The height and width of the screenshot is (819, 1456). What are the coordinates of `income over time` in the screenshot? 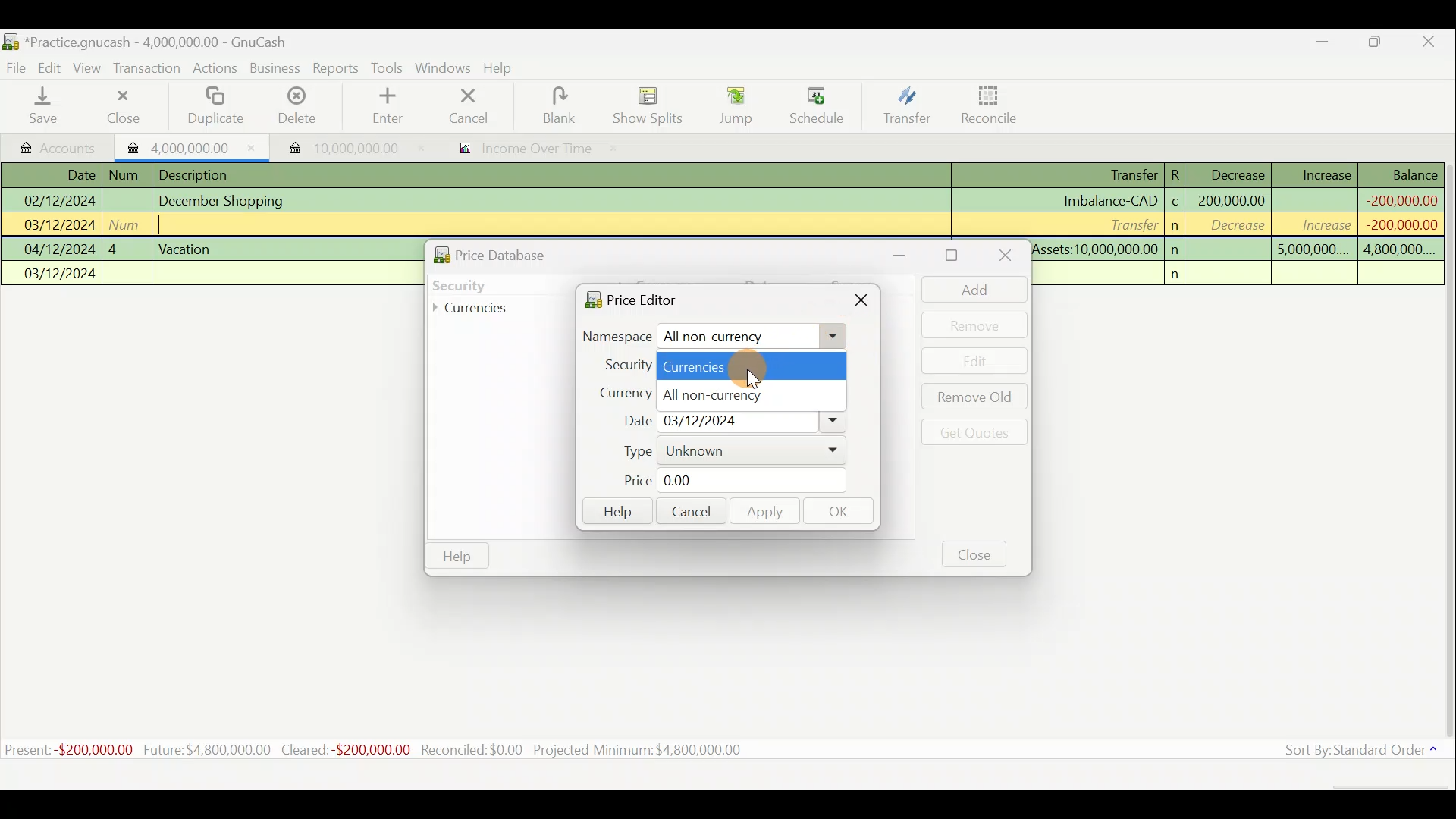 It's located at (536, 149).